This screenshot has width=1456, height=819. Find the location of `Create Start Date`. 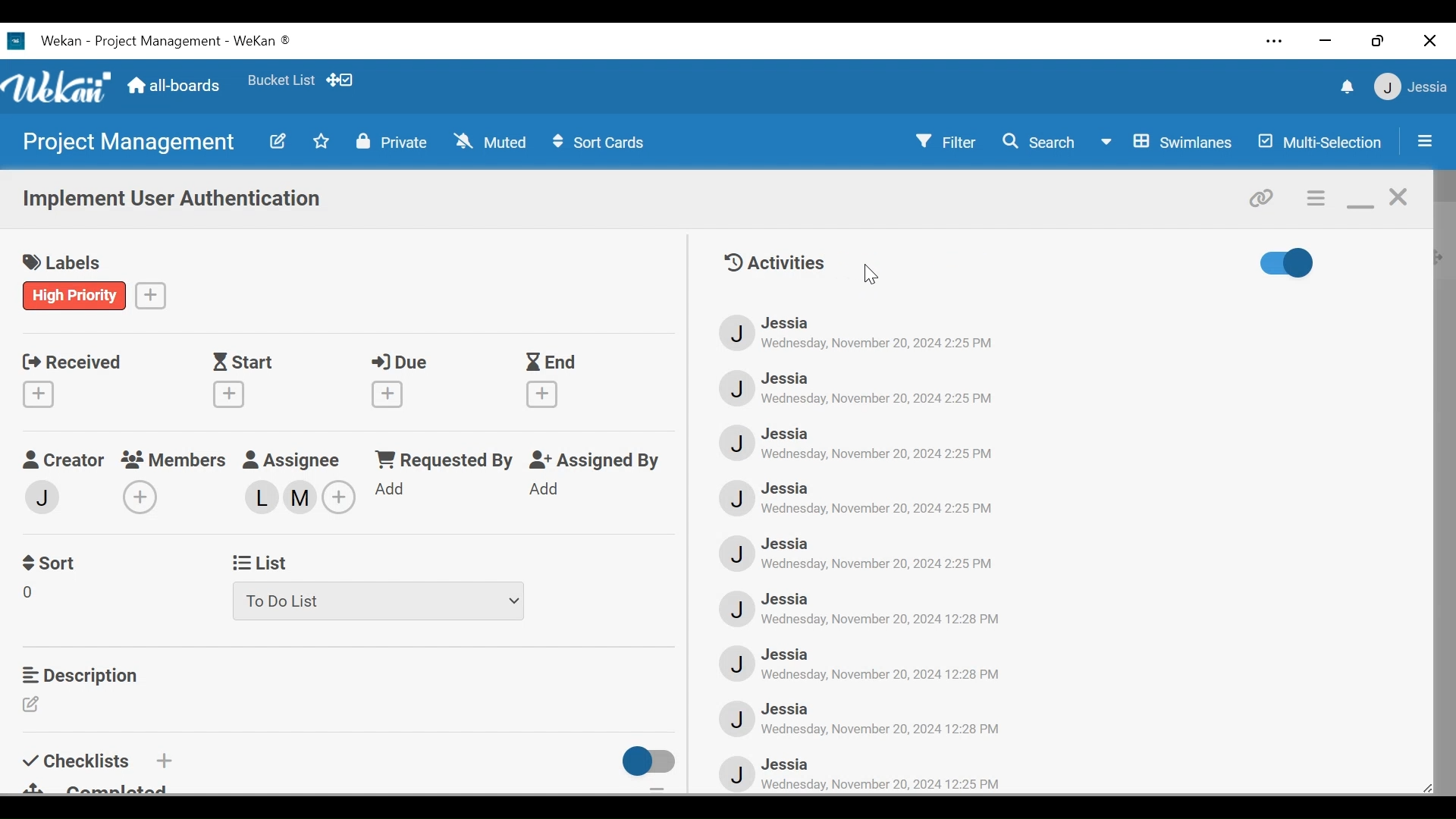

Create Start Date is located at coordinates (229, 395).